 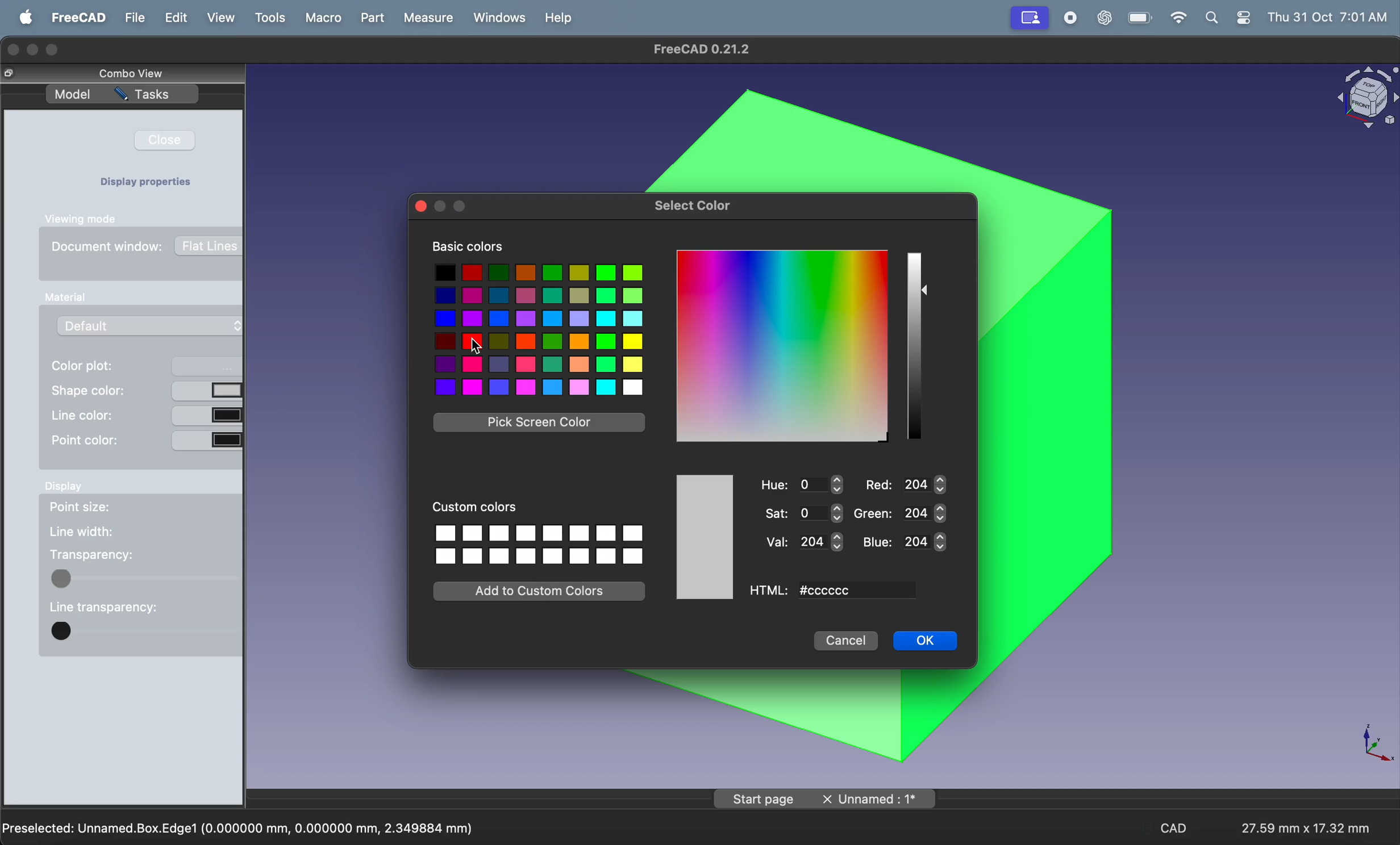 What do you see at coordinates (539, 591) in the screenshot?
I see `add custom colors` at bounding box center [539, 591].